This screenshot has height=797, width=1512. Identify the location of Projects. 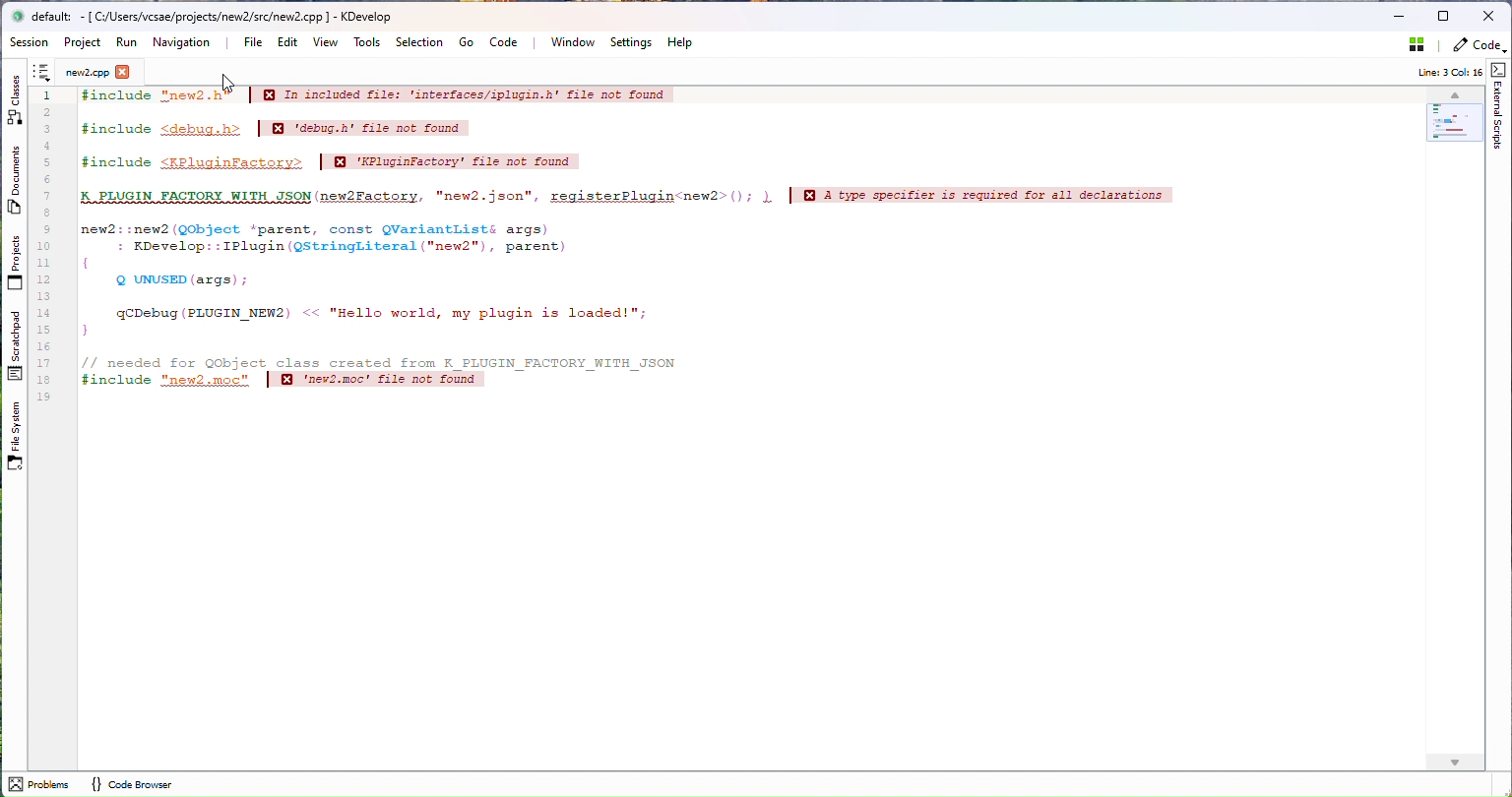
(16, 262).